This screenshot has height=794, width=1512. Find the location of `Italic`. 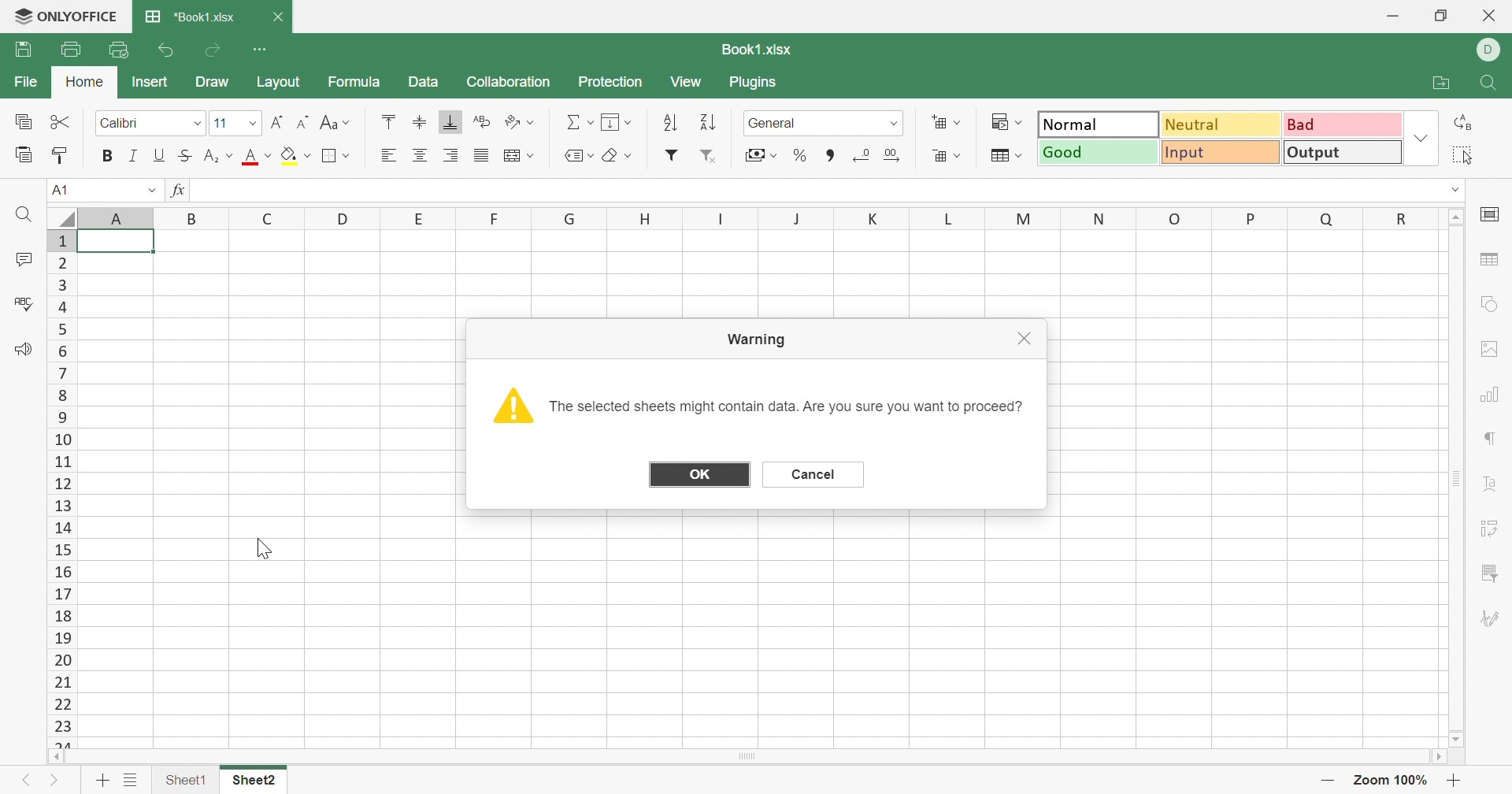

Italic is located at coordinates (135, 154).